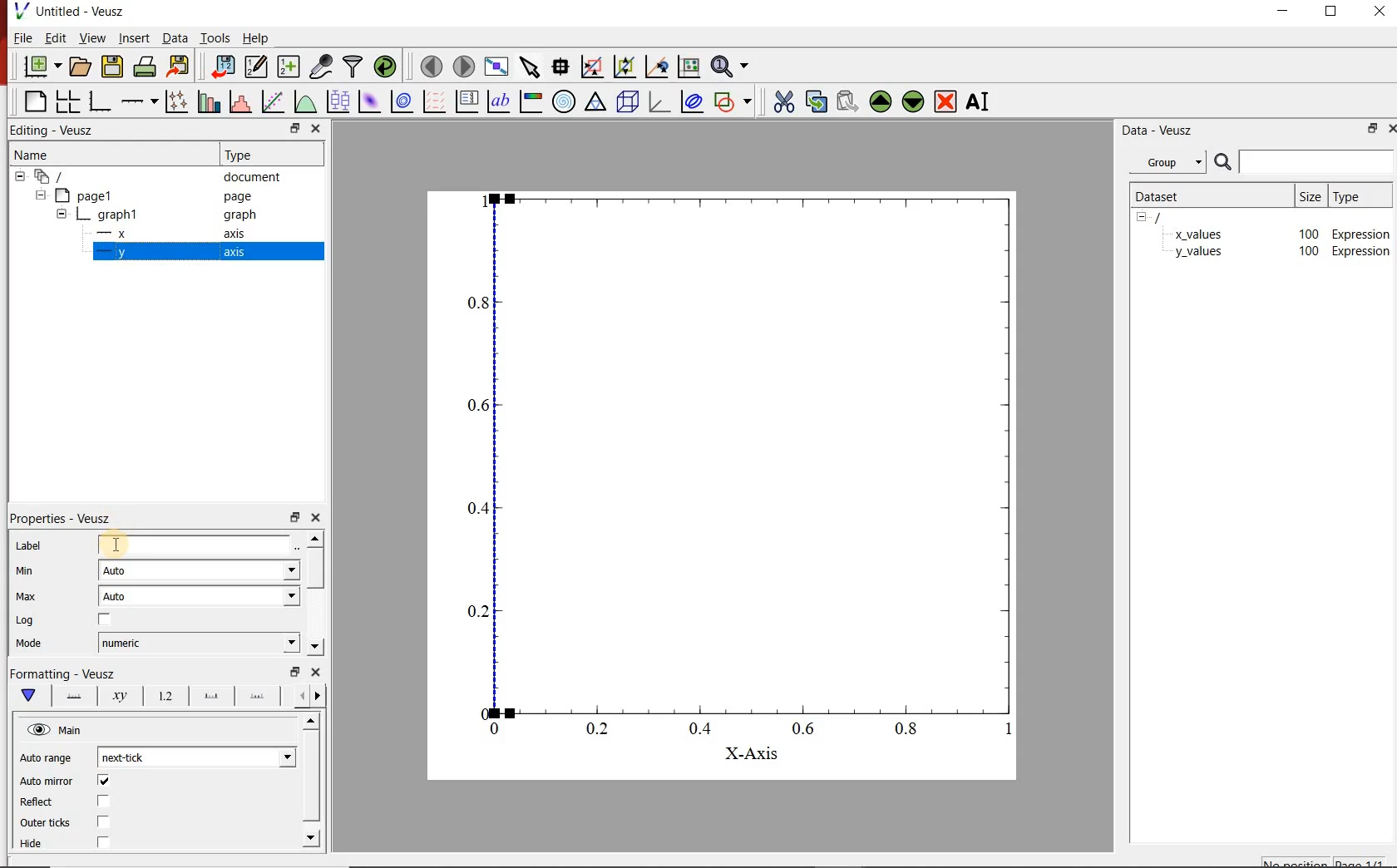  Describe the element at coordinates (719, 461) in the screenshot. I see `graph` at that location.